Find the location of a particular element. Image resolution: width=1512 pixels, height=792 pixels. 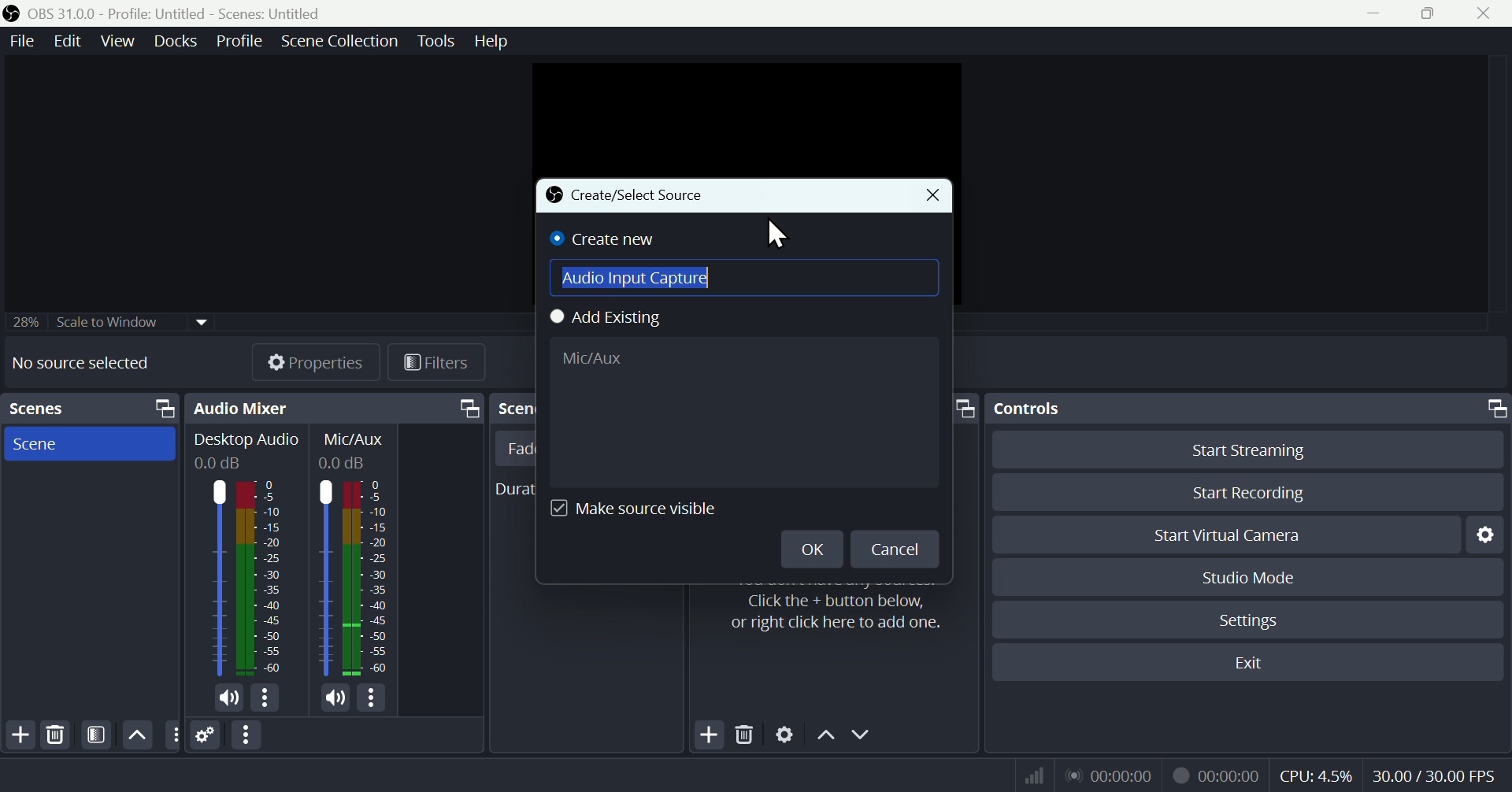

CPU Usage is located at coordinates (1317, 776).